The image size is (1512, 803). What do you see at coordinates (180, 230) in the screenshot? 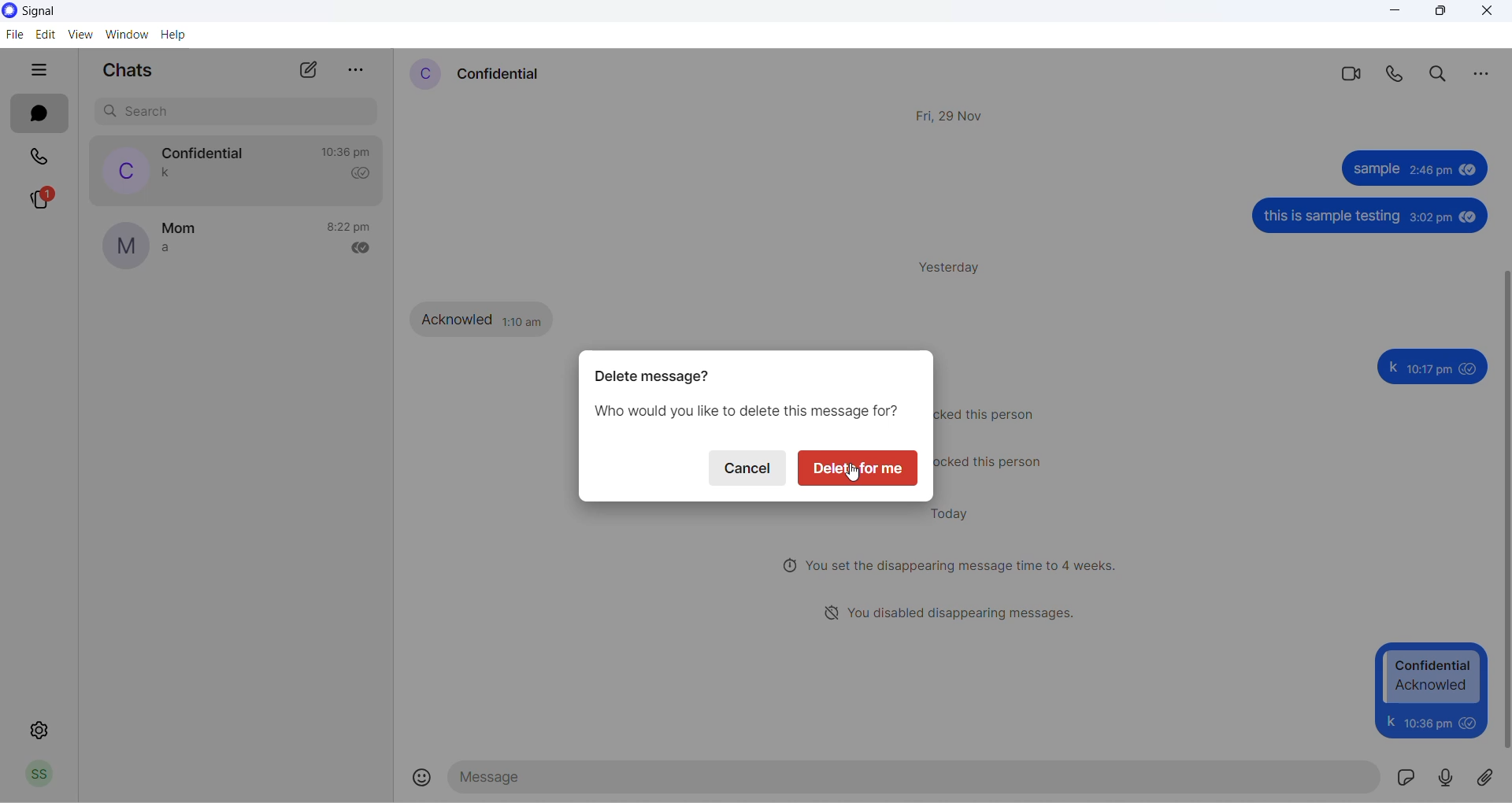
I see `contact name` at bounding box center [180, 230].